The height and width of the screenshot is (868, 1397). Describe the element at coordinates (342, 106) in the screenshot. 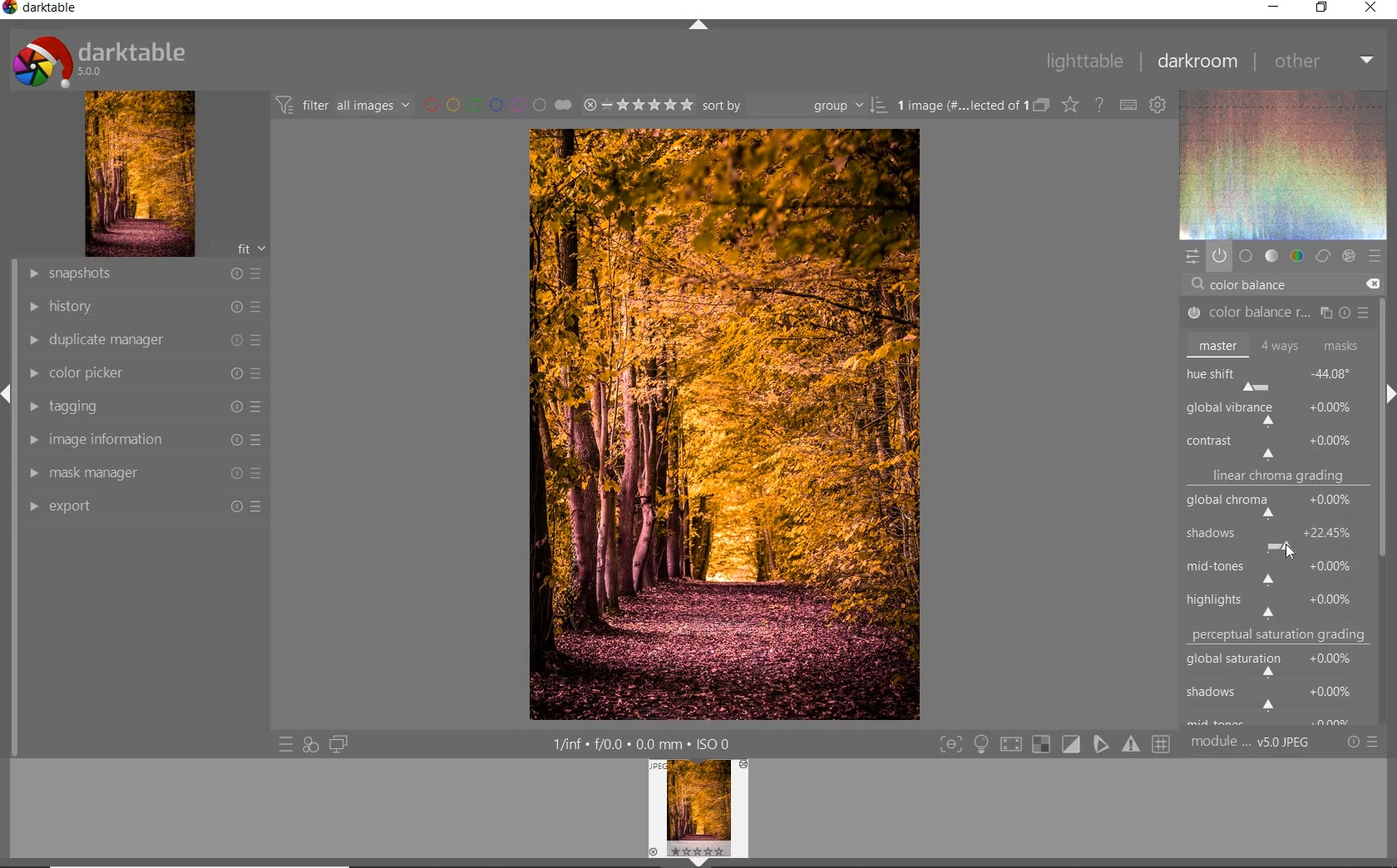

I see `filter images` at that location.